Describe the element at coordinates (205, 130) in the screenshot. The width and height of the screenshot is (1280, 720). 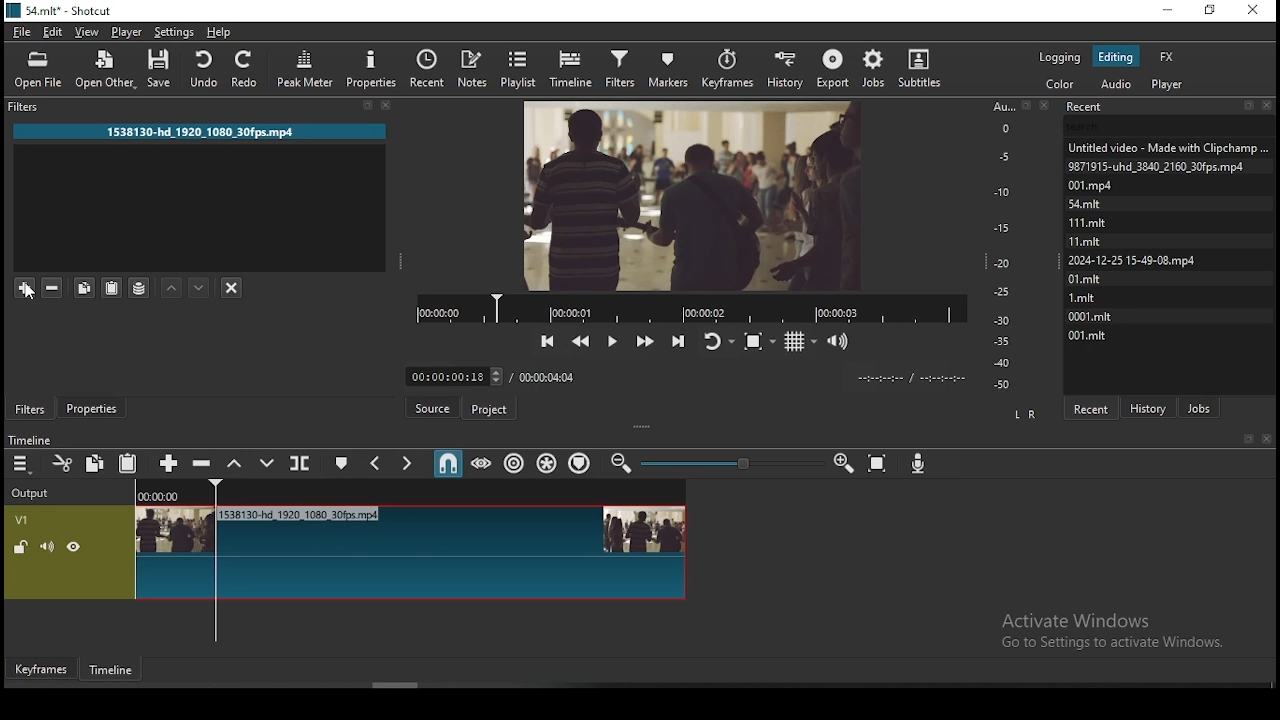
I see `1538130-hd_1920_1080_30fps.mp4` at that location.